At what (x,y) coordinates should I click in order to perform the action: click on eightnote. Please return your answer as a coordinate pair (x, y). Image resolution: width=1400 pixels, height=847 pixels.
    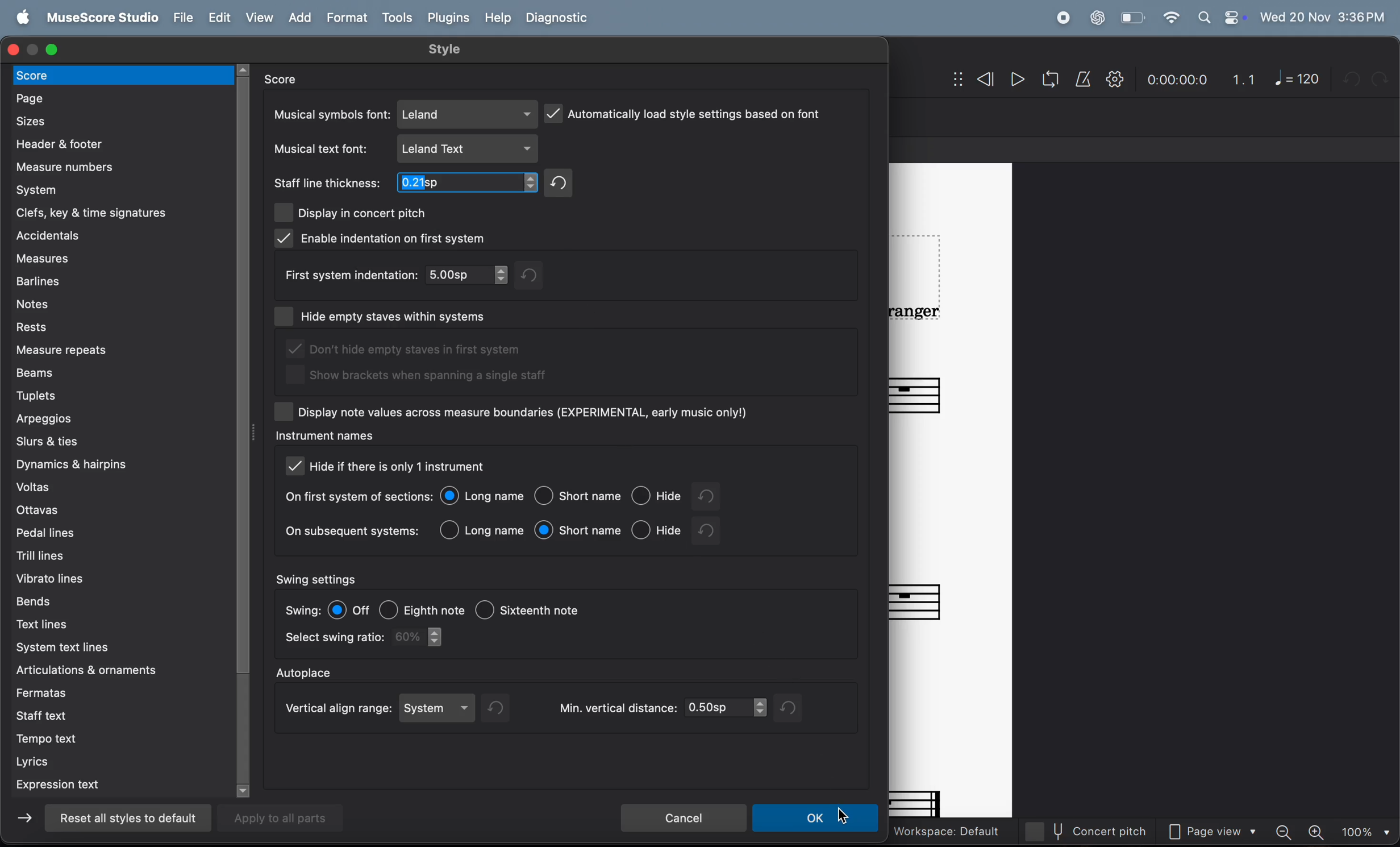
    Looking at the image, I should click on (423, 607).